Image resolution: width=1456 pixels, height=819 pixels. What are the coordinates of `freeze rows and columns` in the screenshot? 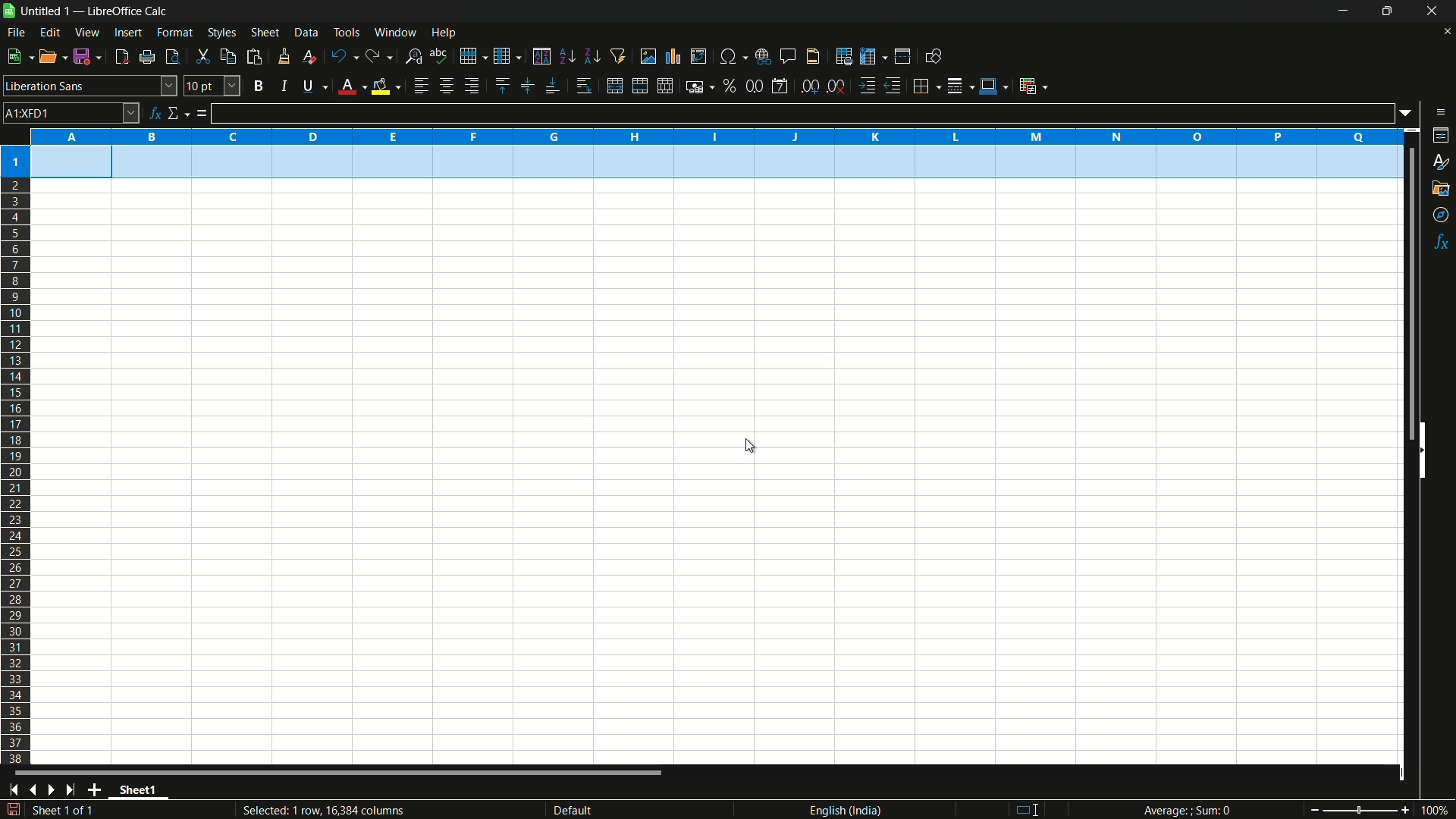 It's located at (872, 57).